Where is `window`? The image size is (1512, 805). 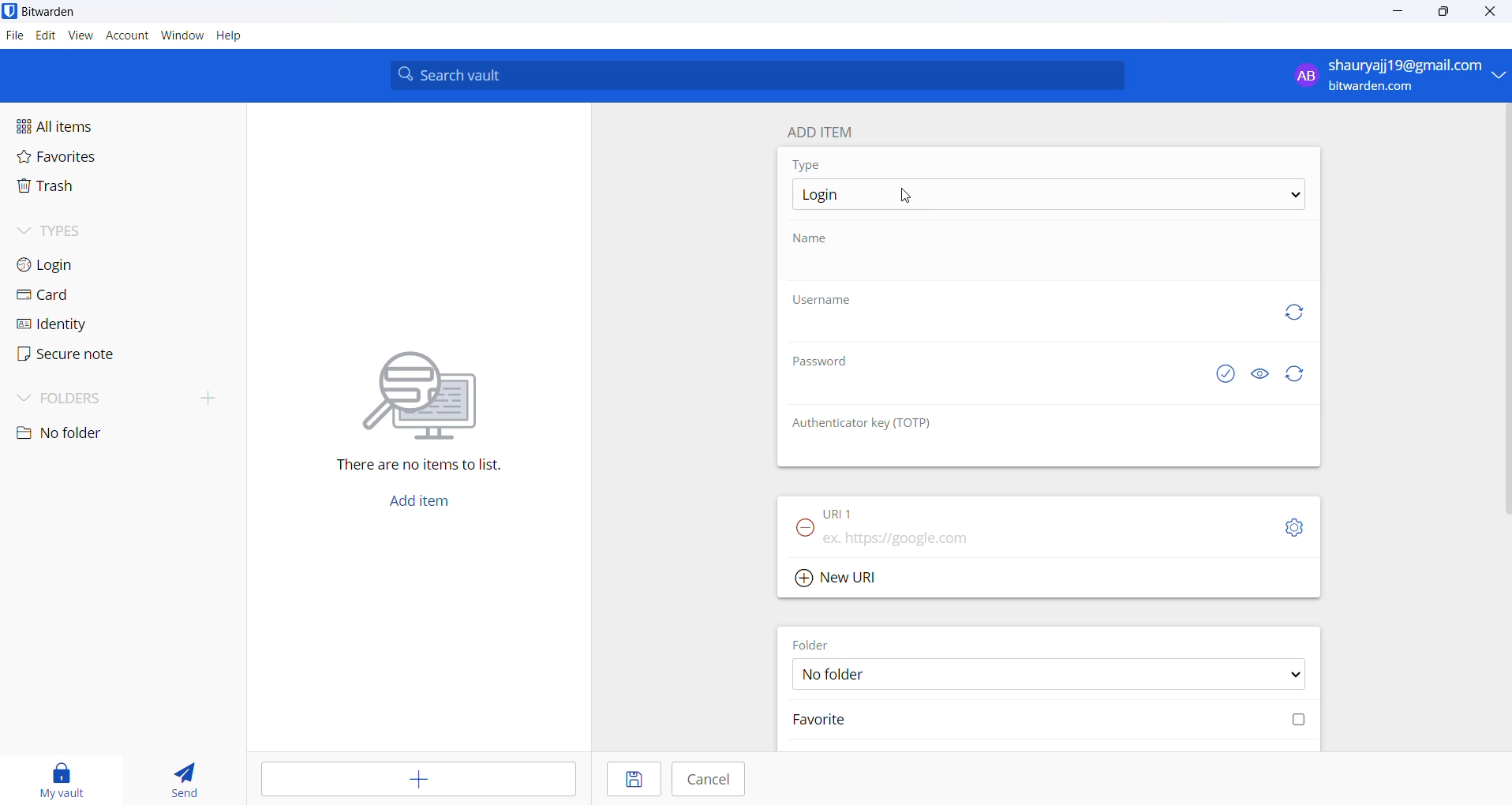 window is located at coordinates (182, 36).